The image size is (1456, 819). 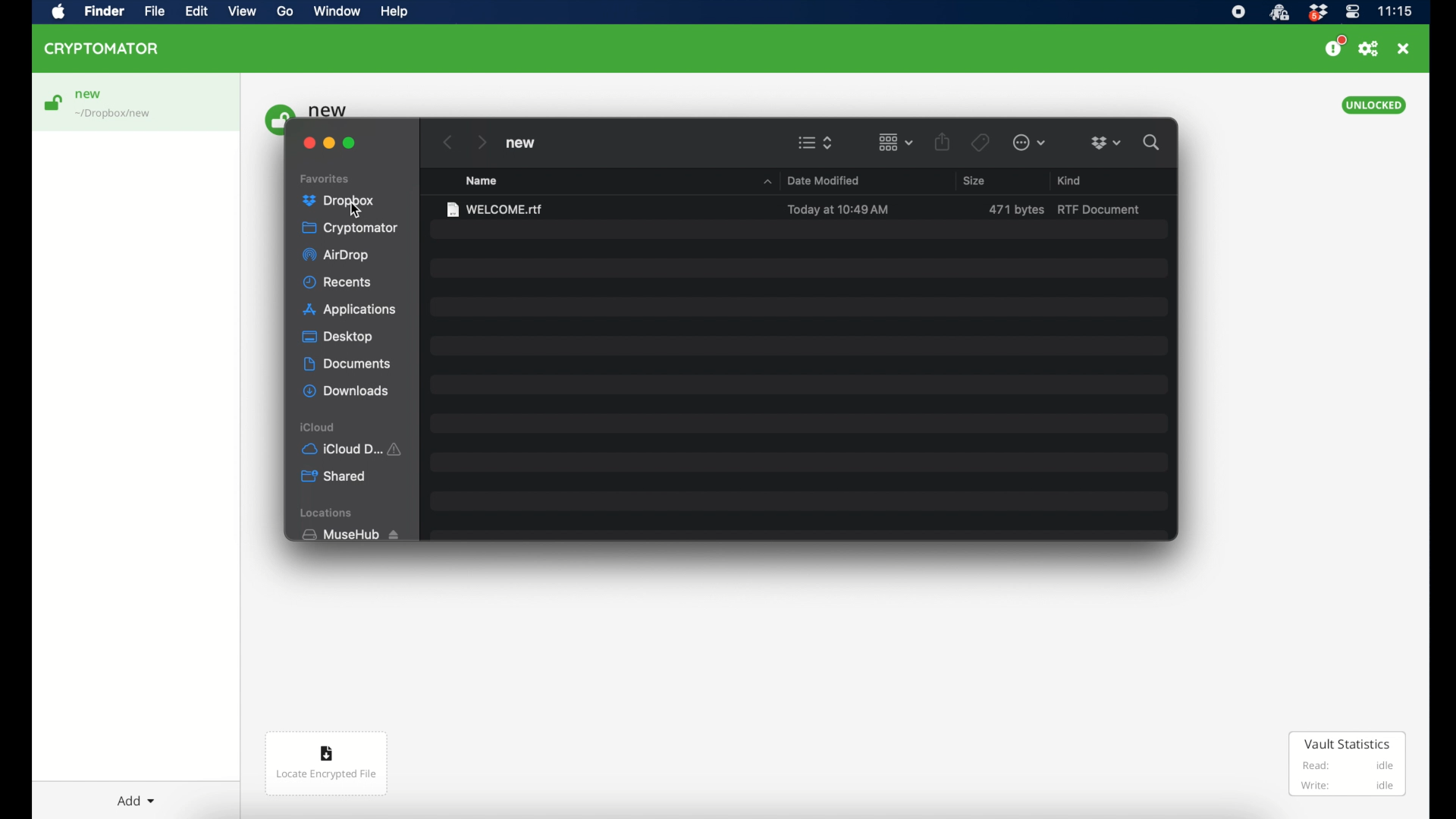 I want to click on add dropdown , so click(x=136, y=801).